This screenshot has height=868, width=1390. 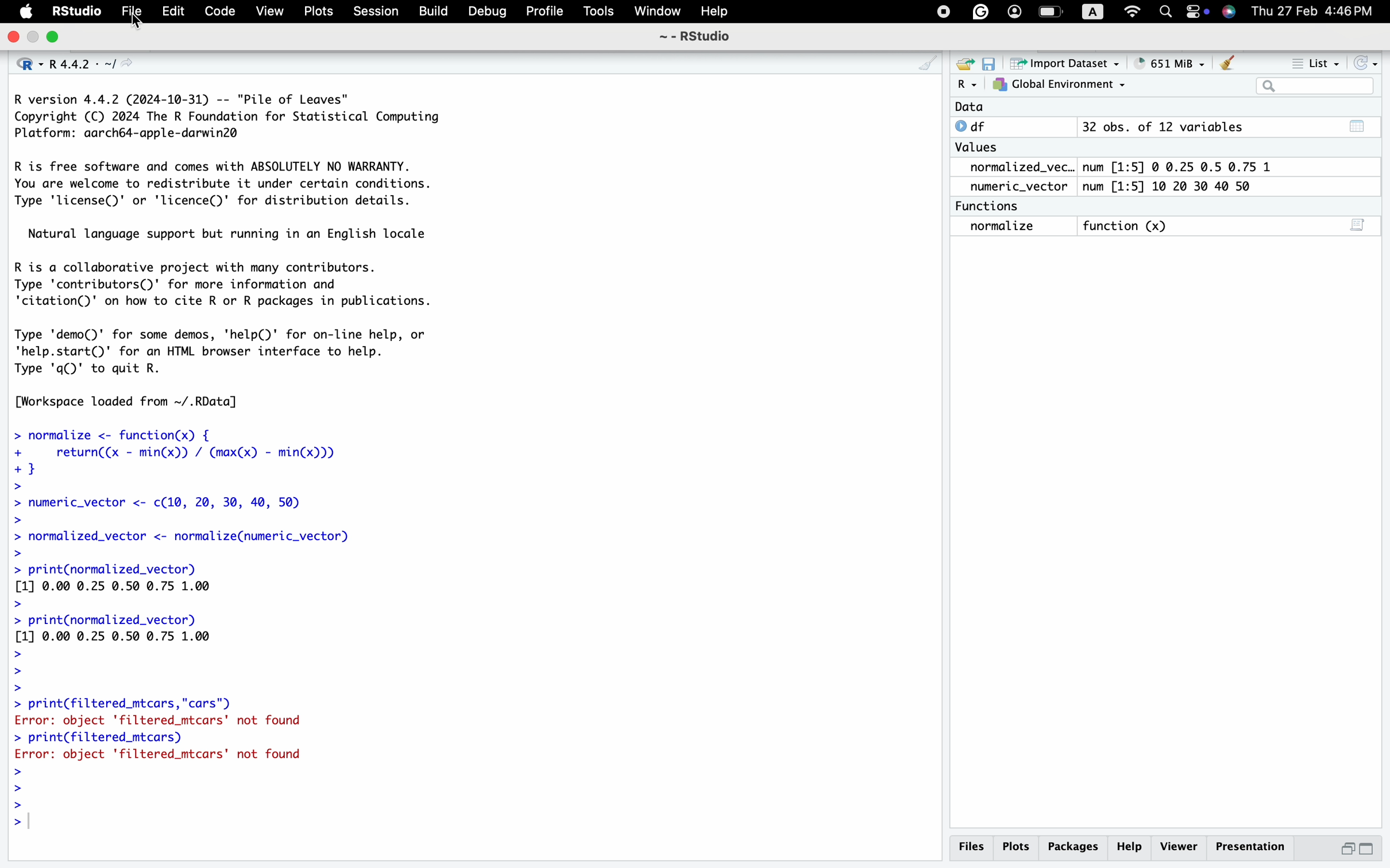 I want to click on © df 32 obs. of 12 variables, so click(x=1155, y=126).